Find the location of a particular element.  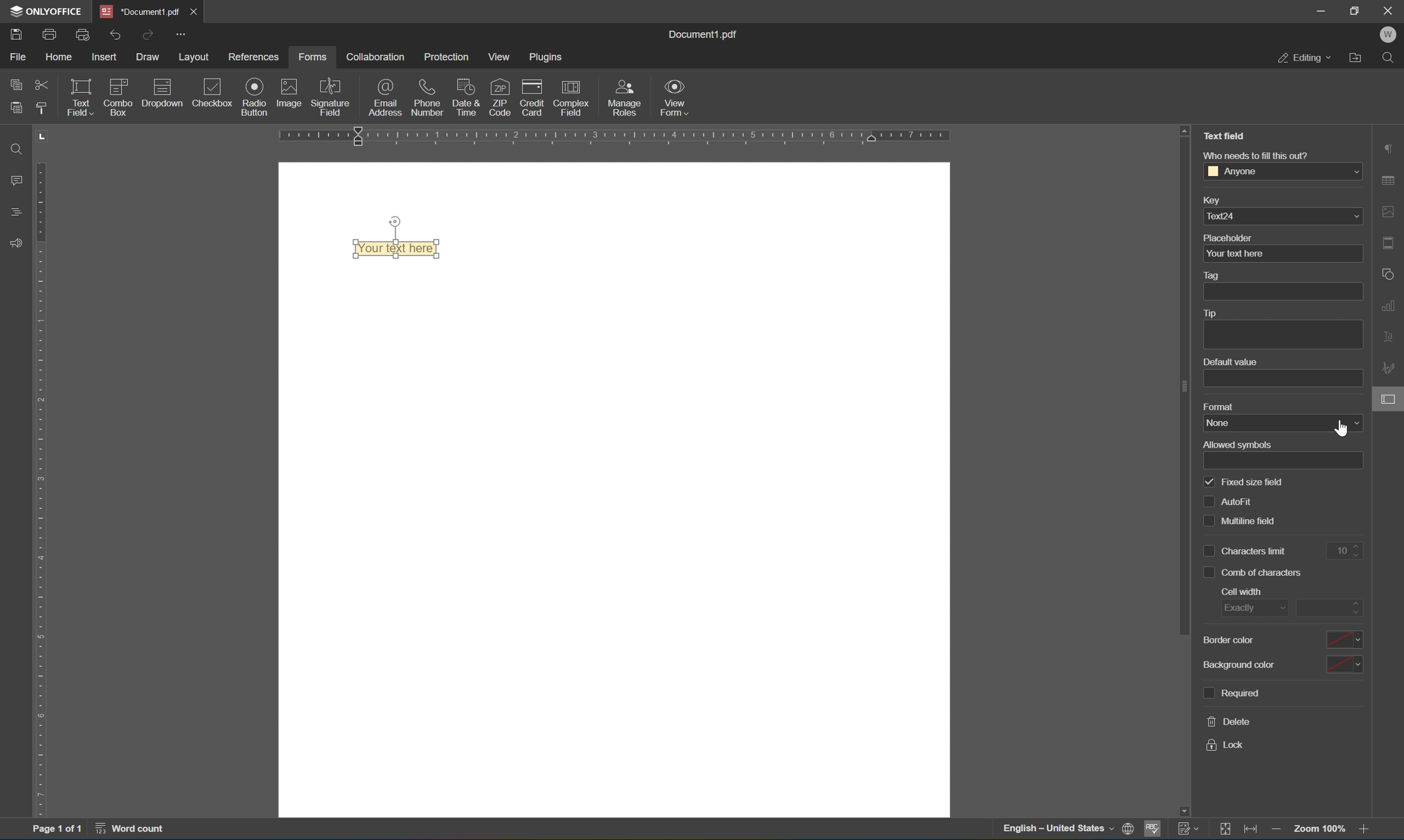

rotate is located at coordinates (395, 221).